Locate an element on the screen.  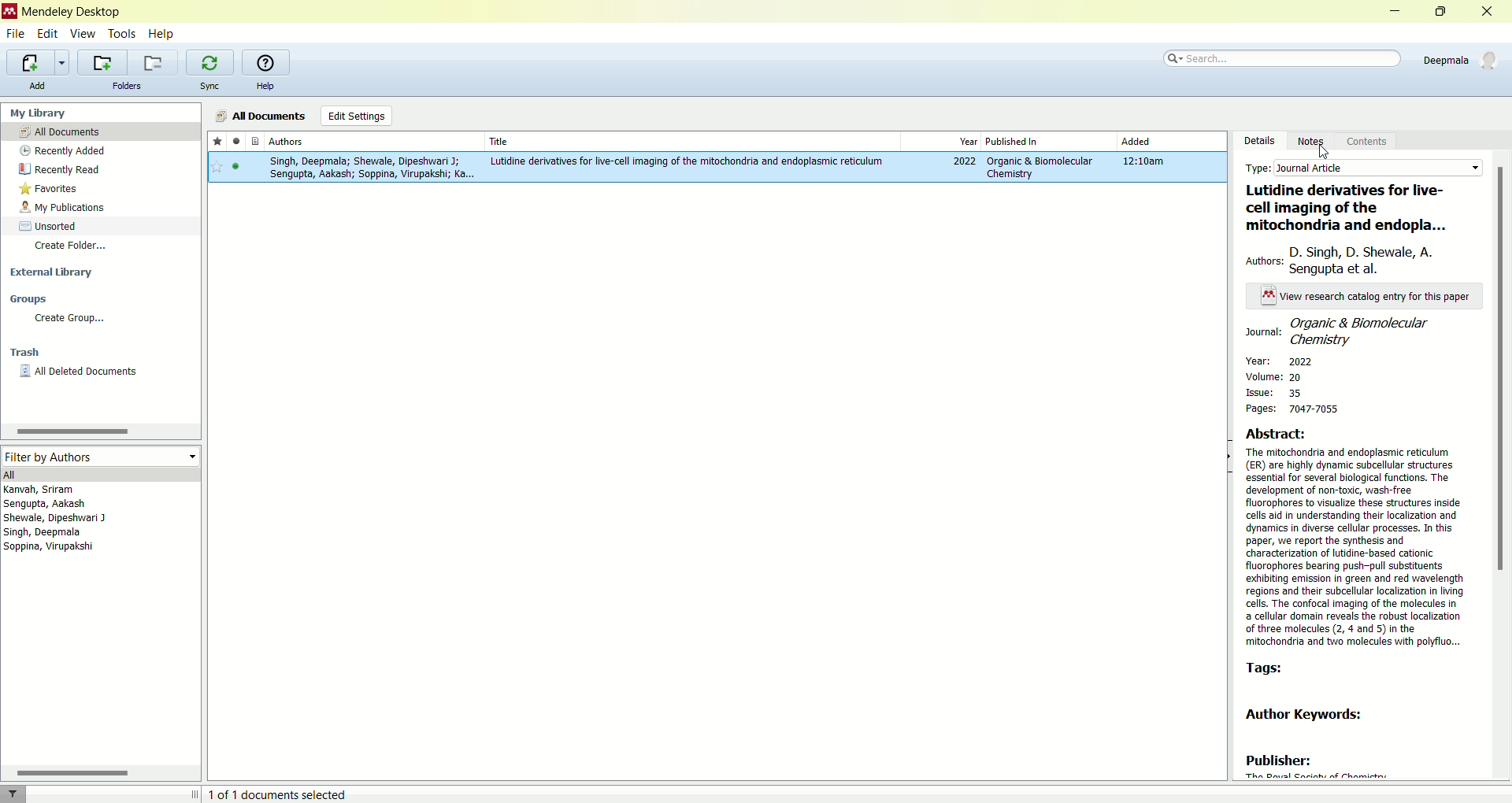
create a new folder is located at coordinates (99, 61).